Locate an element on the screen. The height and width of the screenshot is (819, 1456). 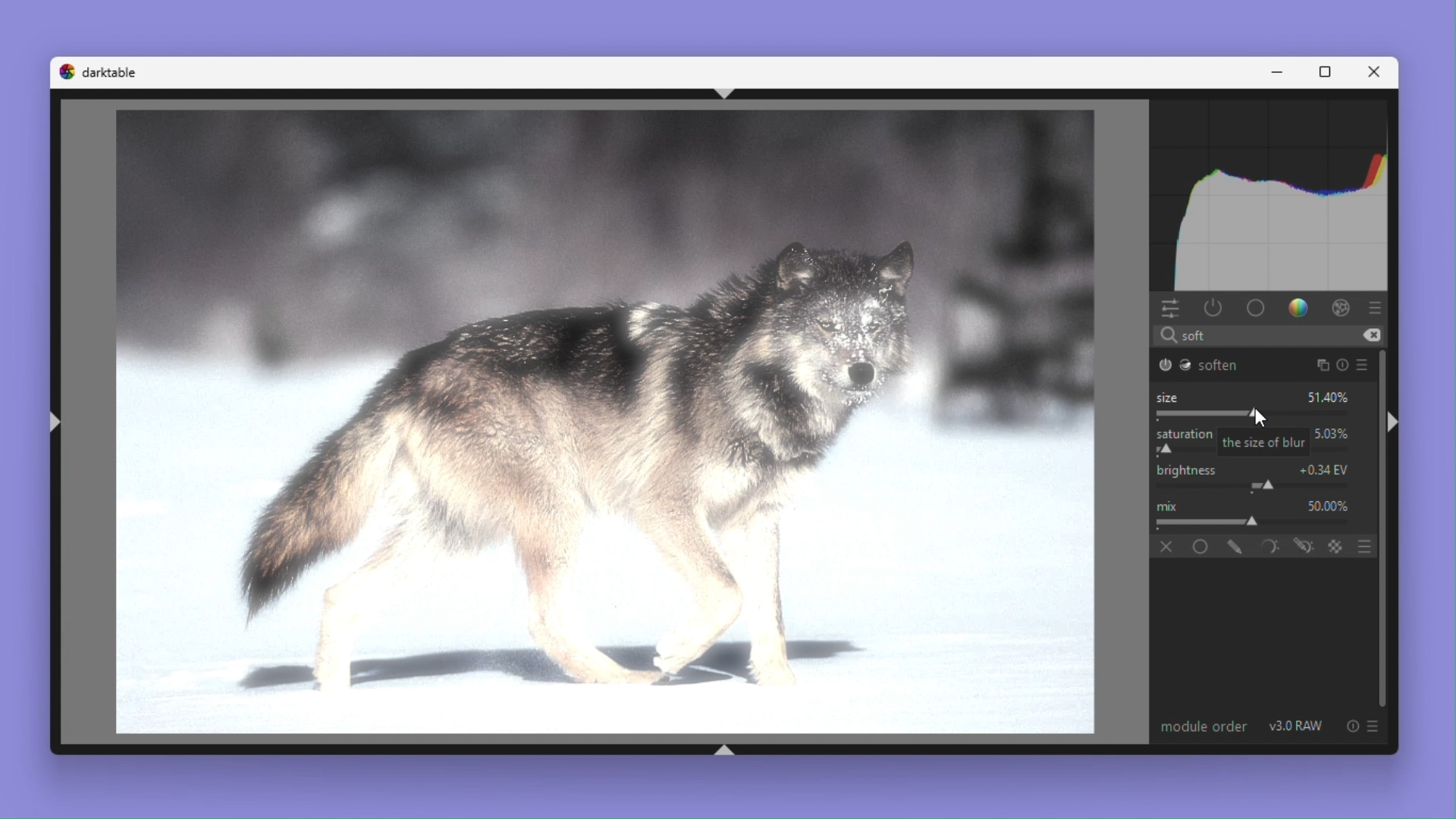
Value  is located at coordinates (1332, 434).